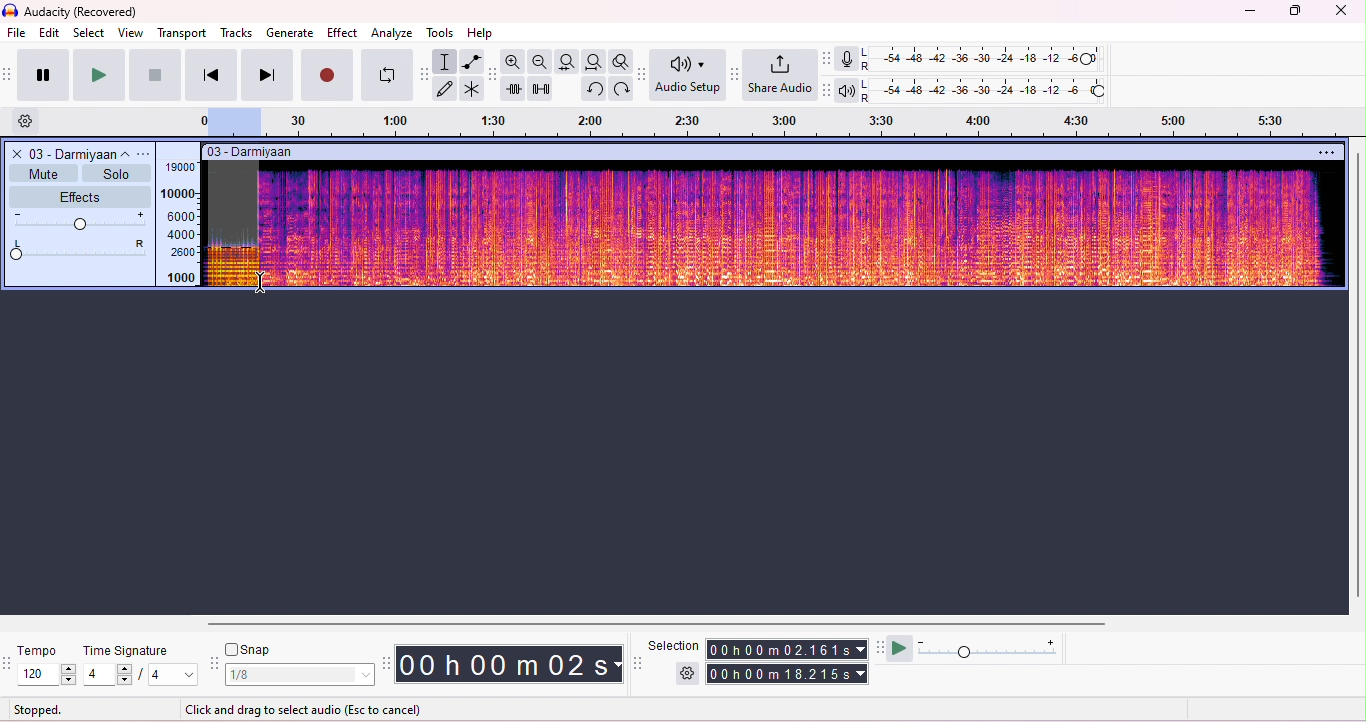 This screenshot has width=1366, height=722. I want to click on tempo tools, so click(9, 665).